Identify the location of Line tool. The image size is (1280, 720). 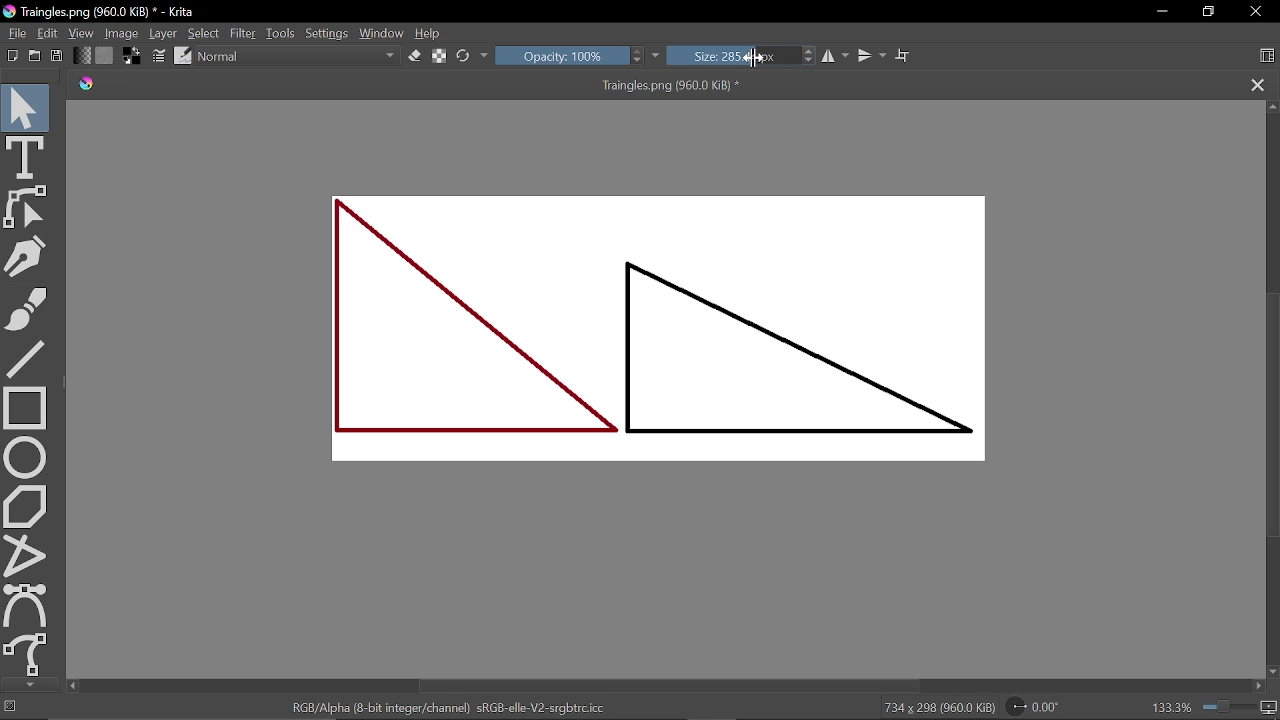
(31, 361).